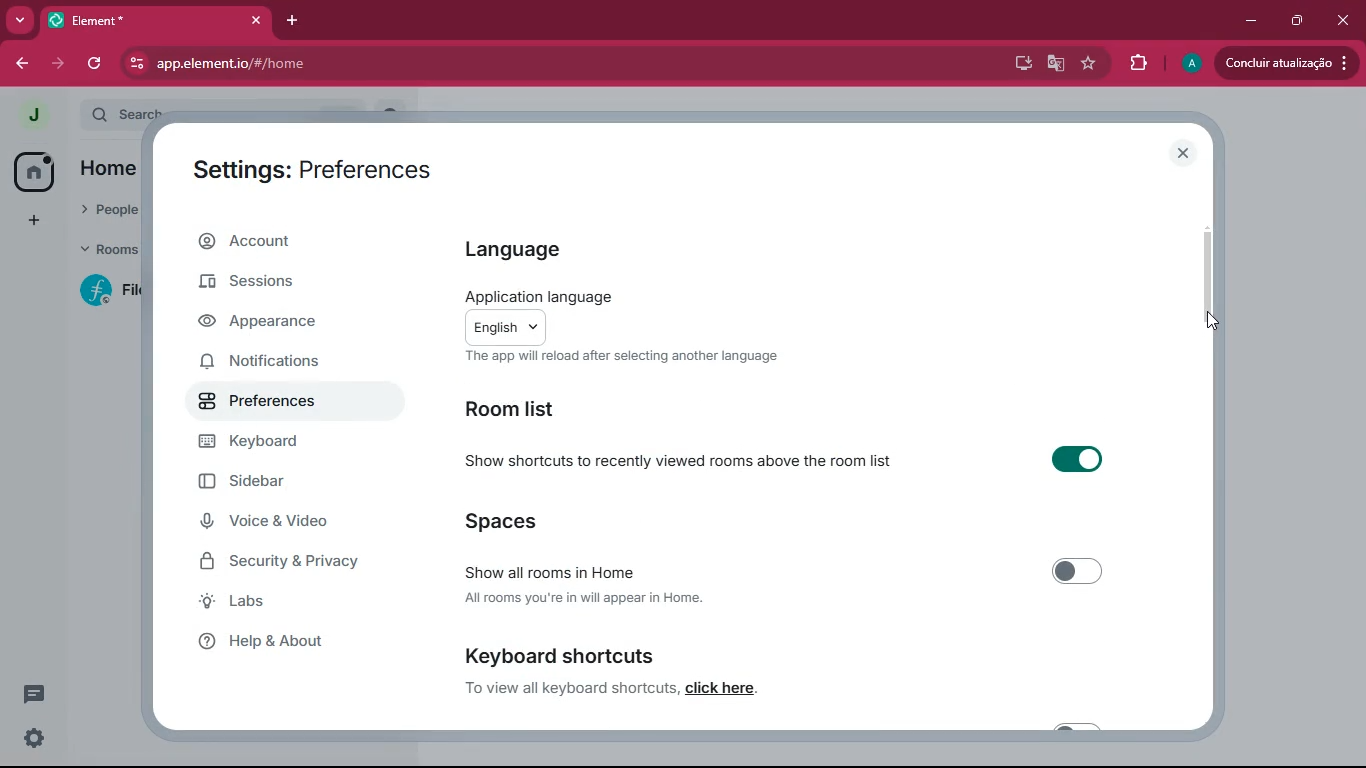 The width and height of the screenshot is (1366, 768). I want to click on To view all keyboard shortcuts, so click(569, 688).